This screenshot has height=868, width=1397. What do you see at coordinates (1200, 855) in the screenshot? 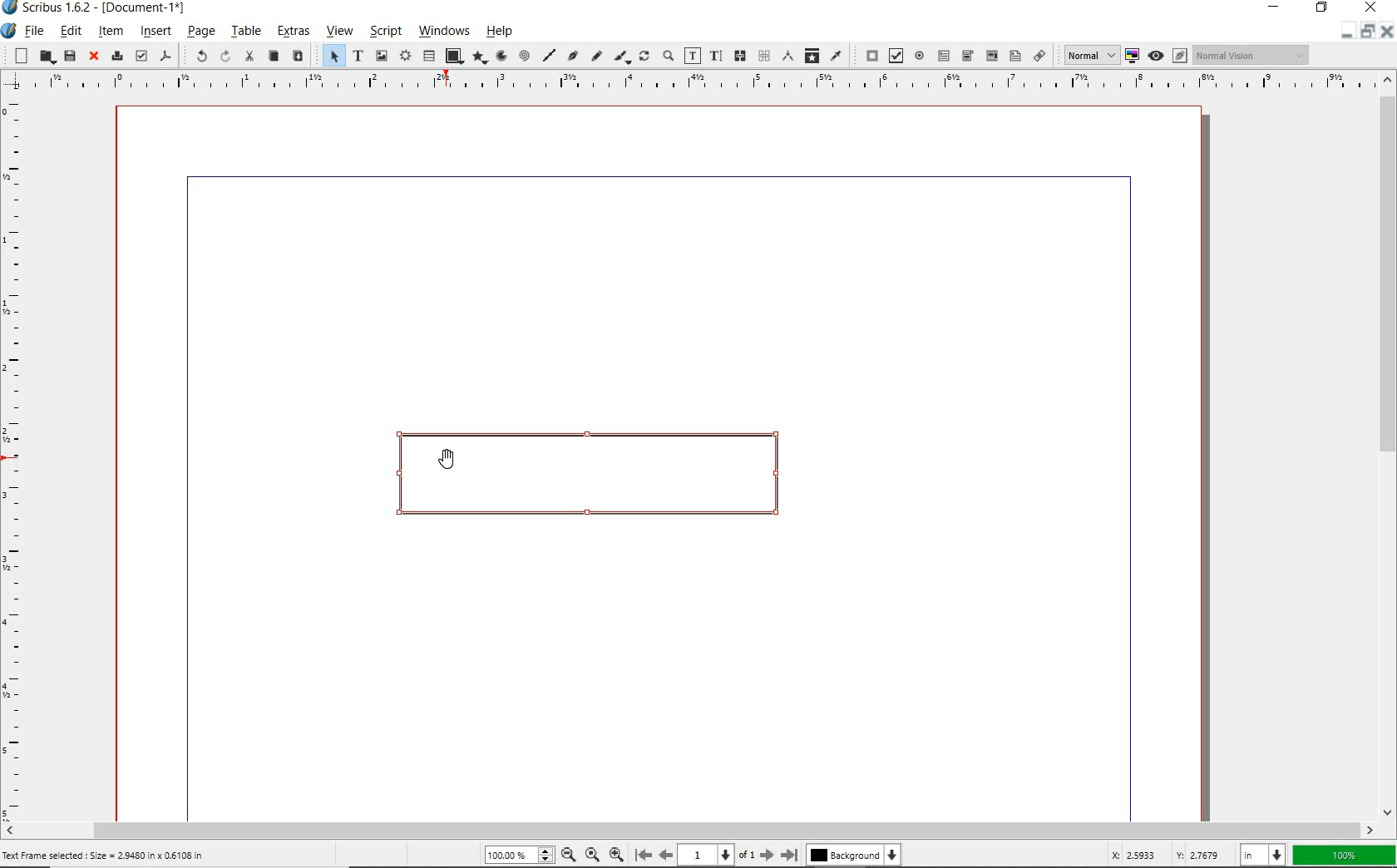
I see `Y: 2.7679` at bounding box center [1200, 855].